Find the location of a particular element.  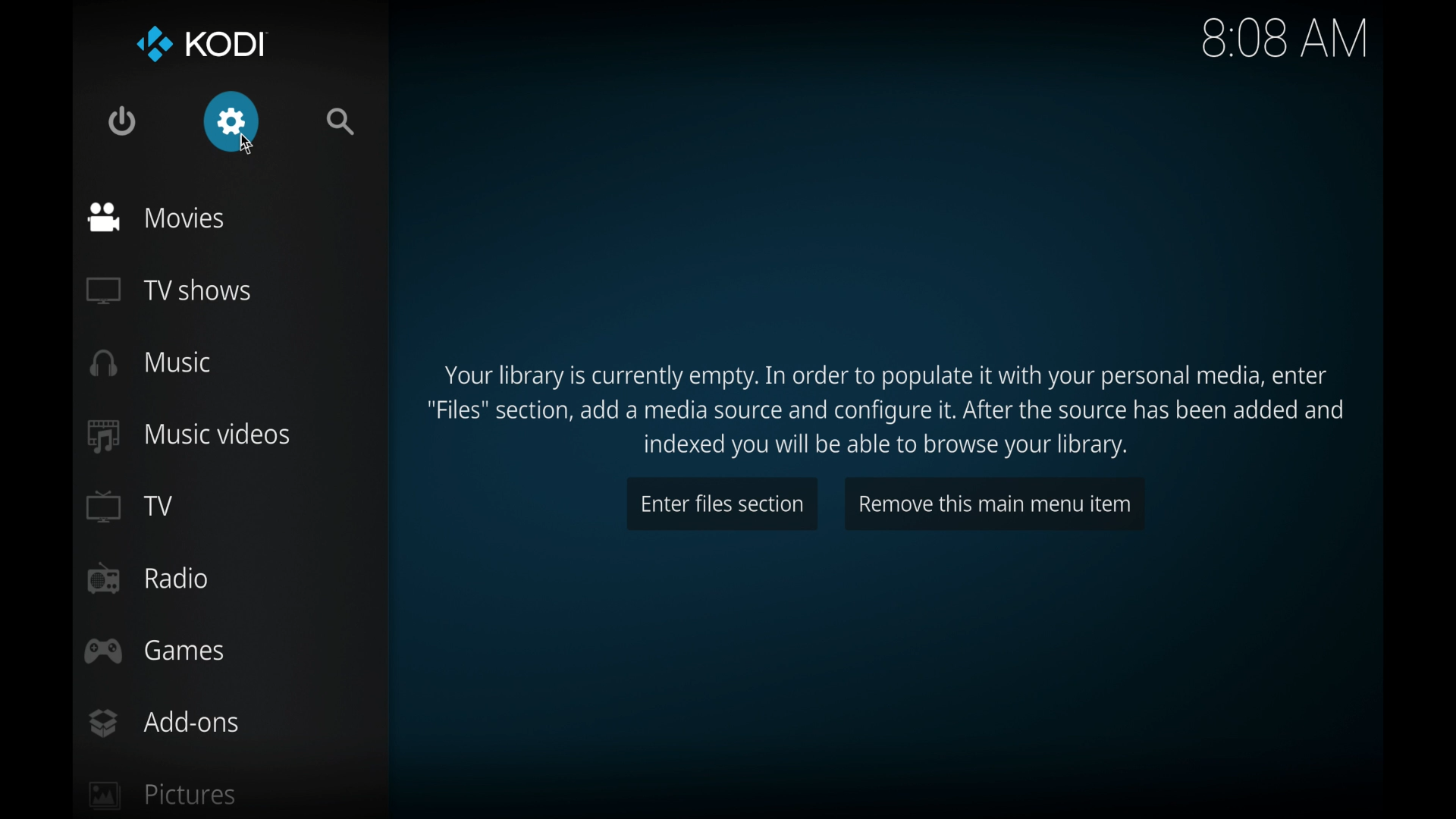

pictures is located at coordinates (162, 797).